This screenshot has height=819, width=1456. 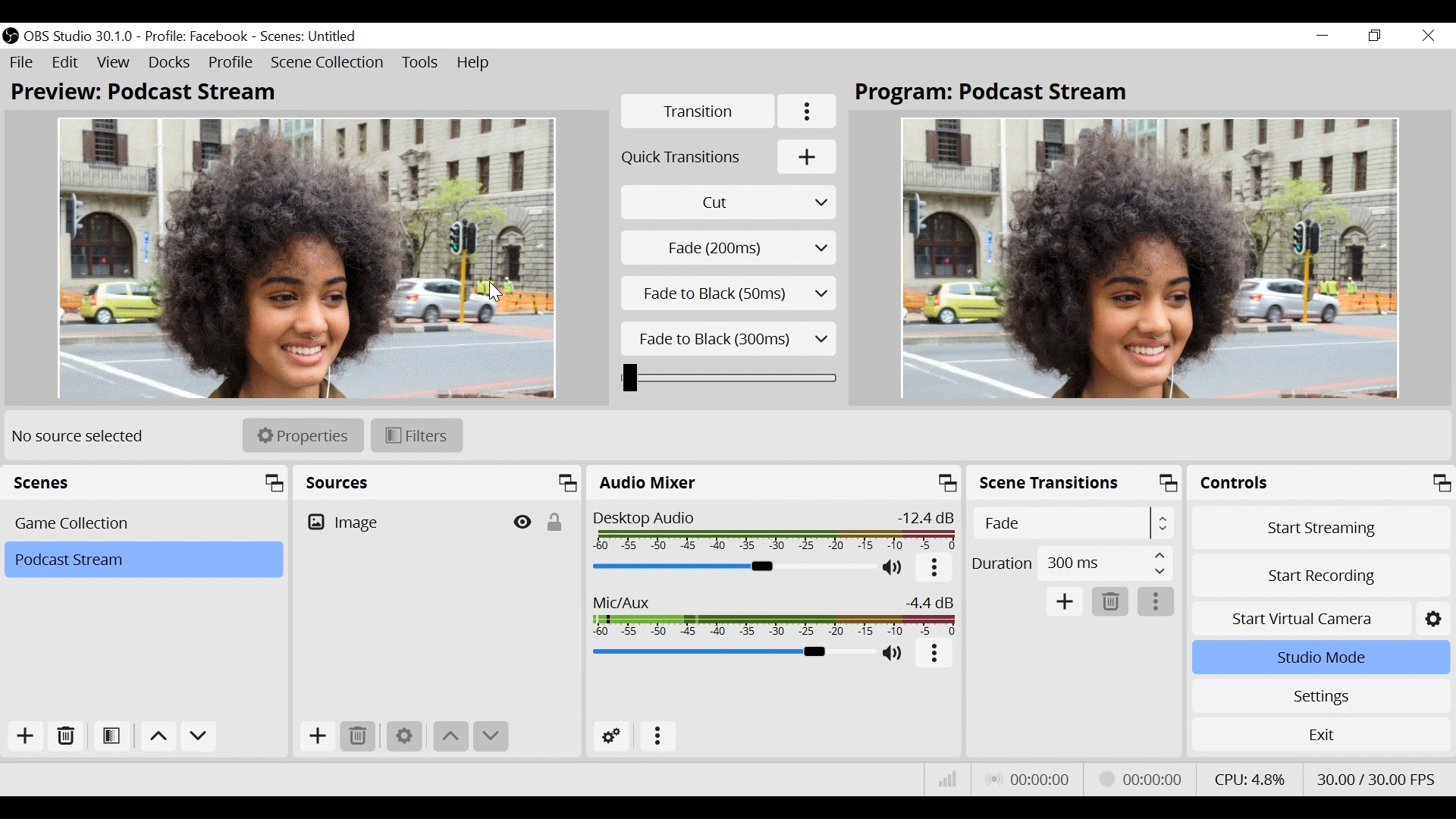 What do you see at coordinates (170, 63) in the screenshot?
I see `Docks` at bounding box center [170, 63].